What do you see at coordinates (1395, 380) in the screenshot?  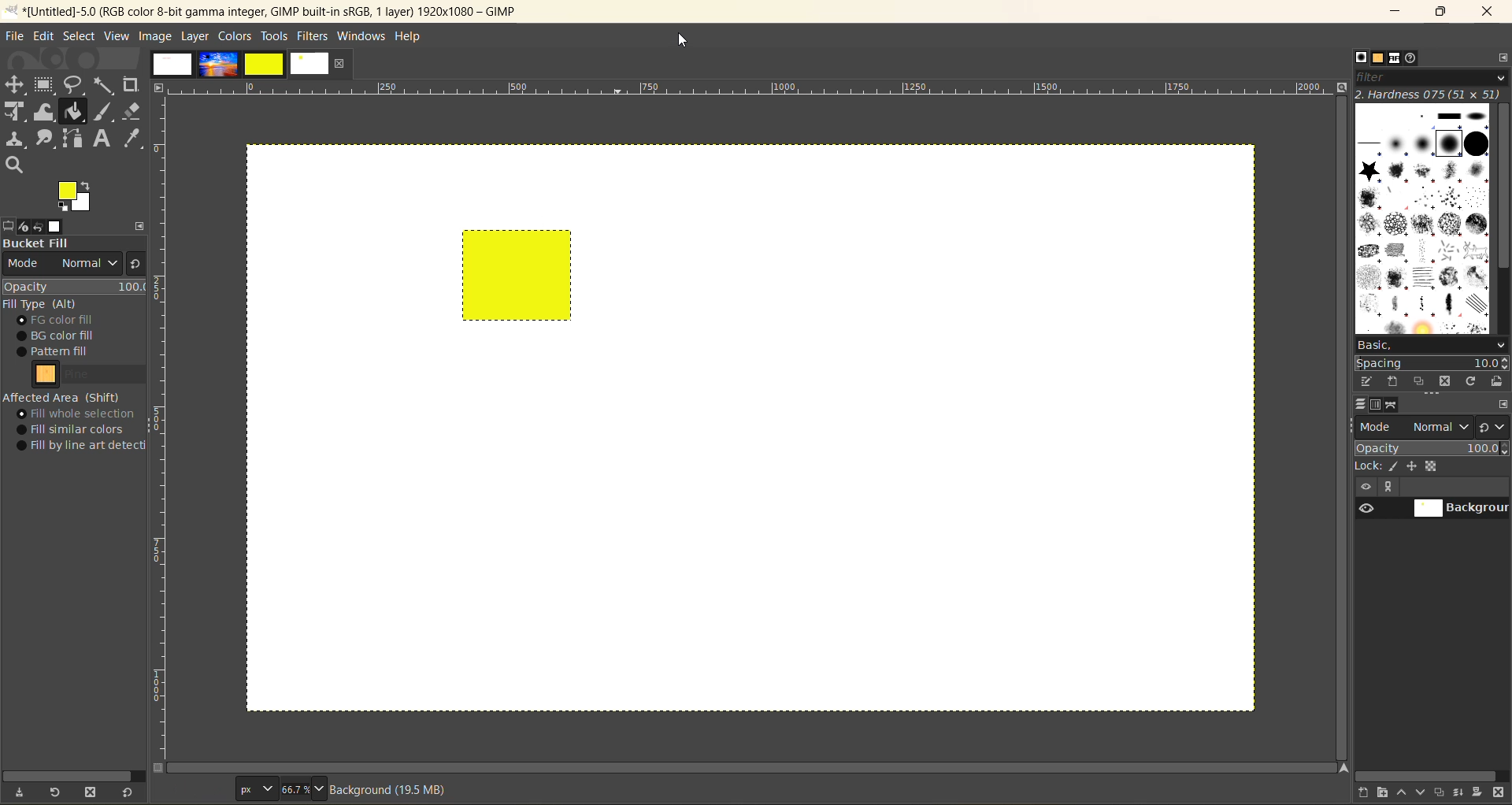 I see `create a new brush` at bounding box center [1395, 380].